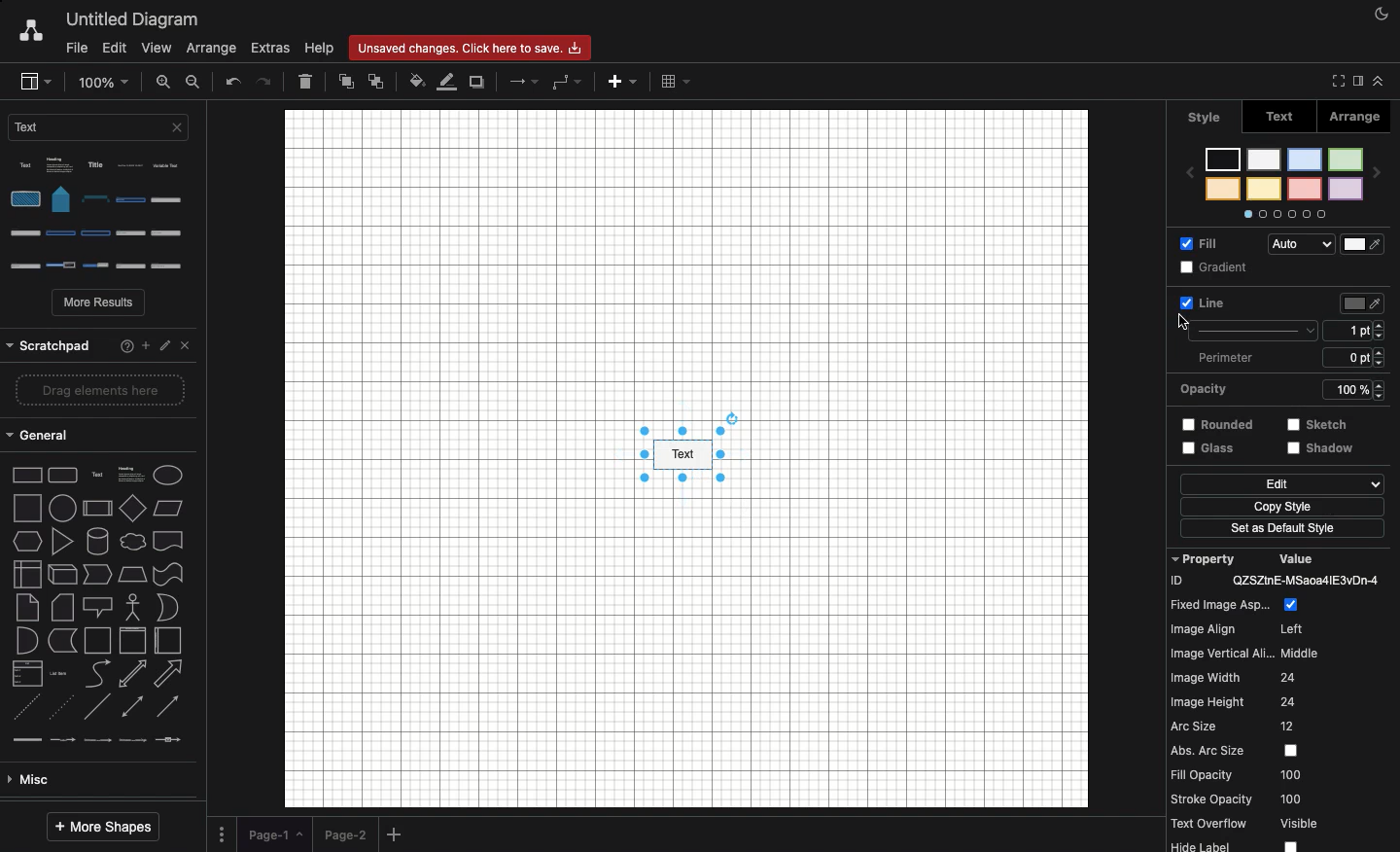  I want to click on type of arrow, so click(104, 544).